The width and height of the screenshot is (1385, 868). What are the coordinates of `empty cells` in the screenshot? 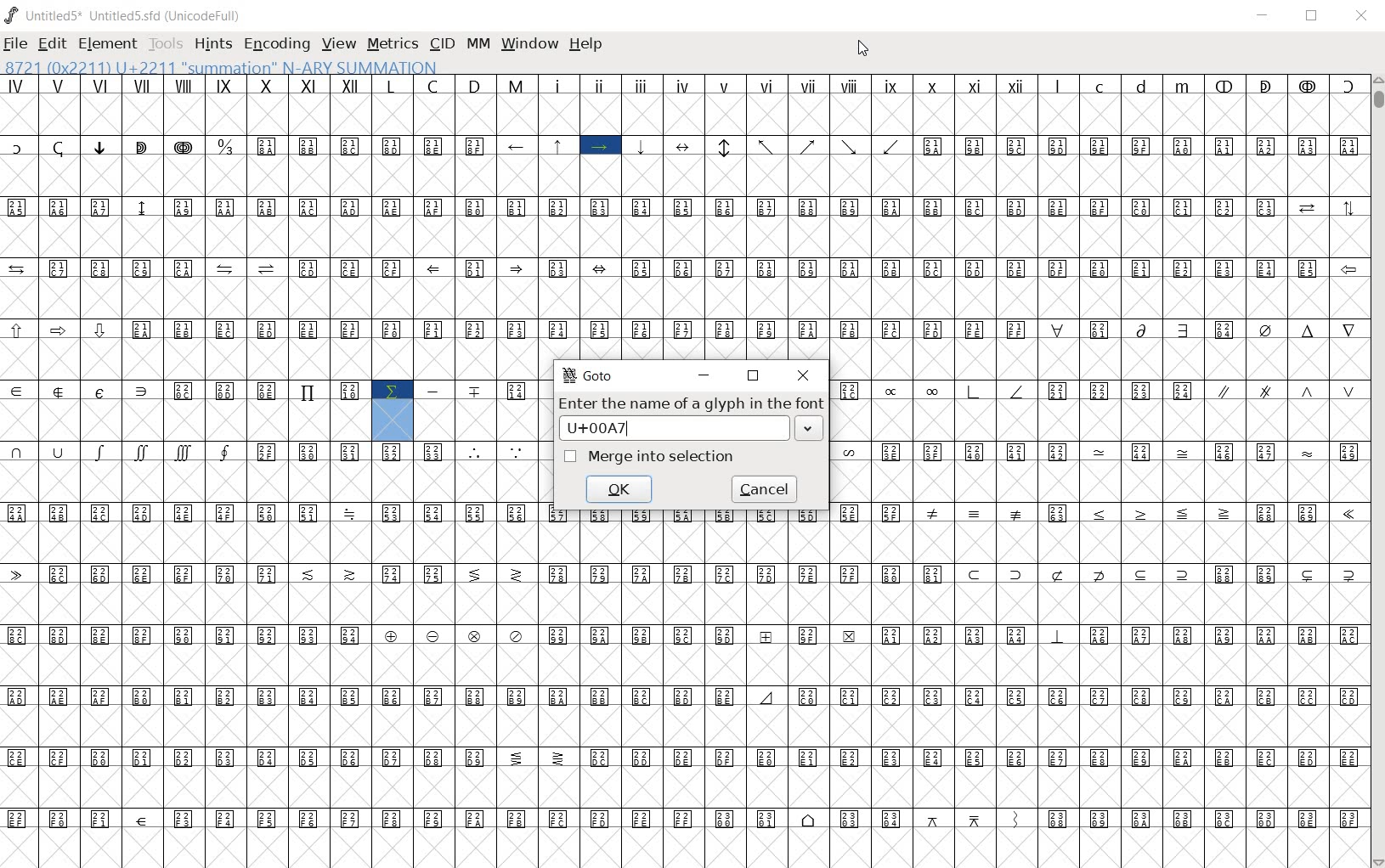 It's located at (1096, 481).